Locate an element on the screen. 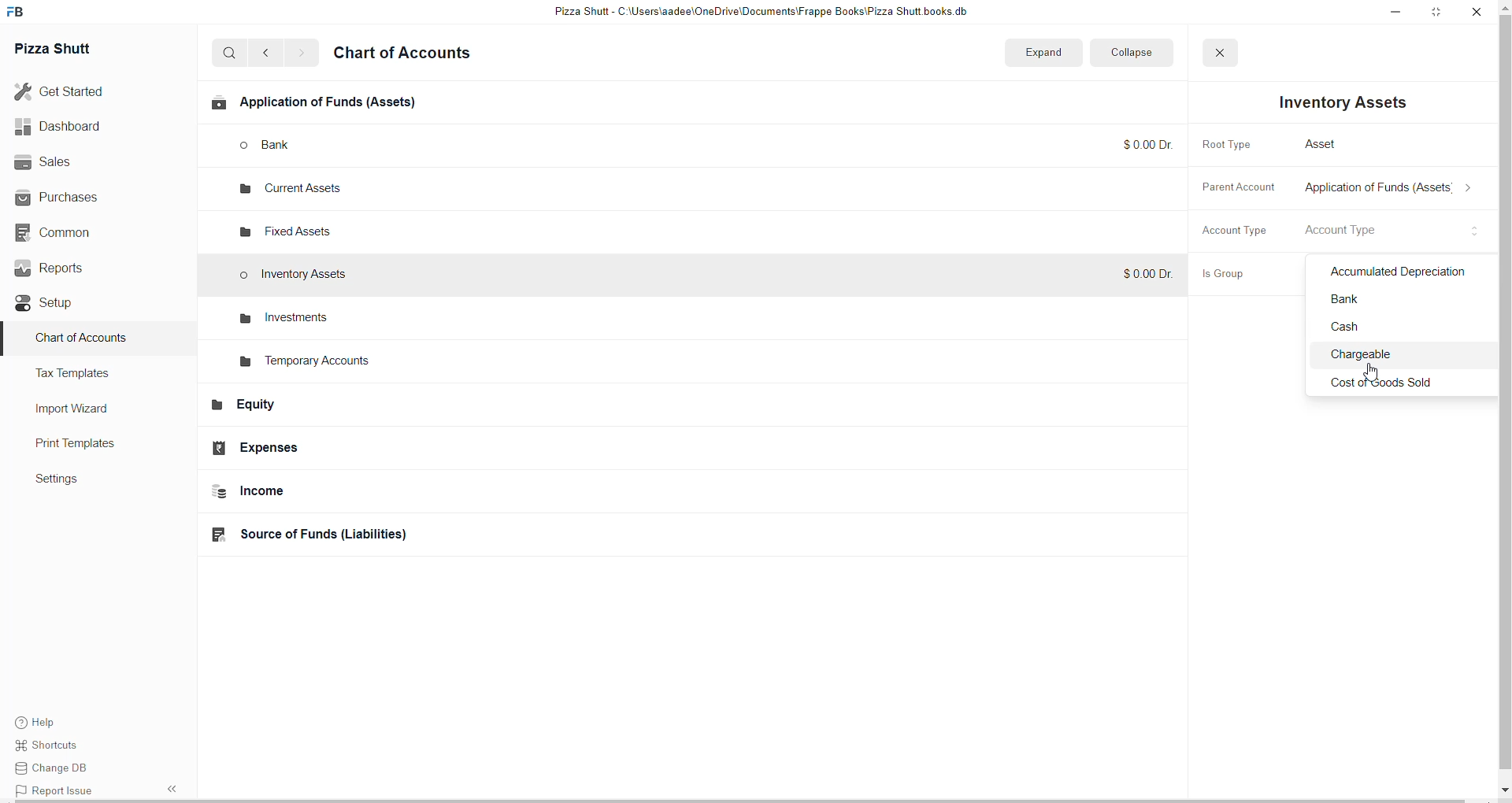  Print Templates  is located at coordinates (91, 445).